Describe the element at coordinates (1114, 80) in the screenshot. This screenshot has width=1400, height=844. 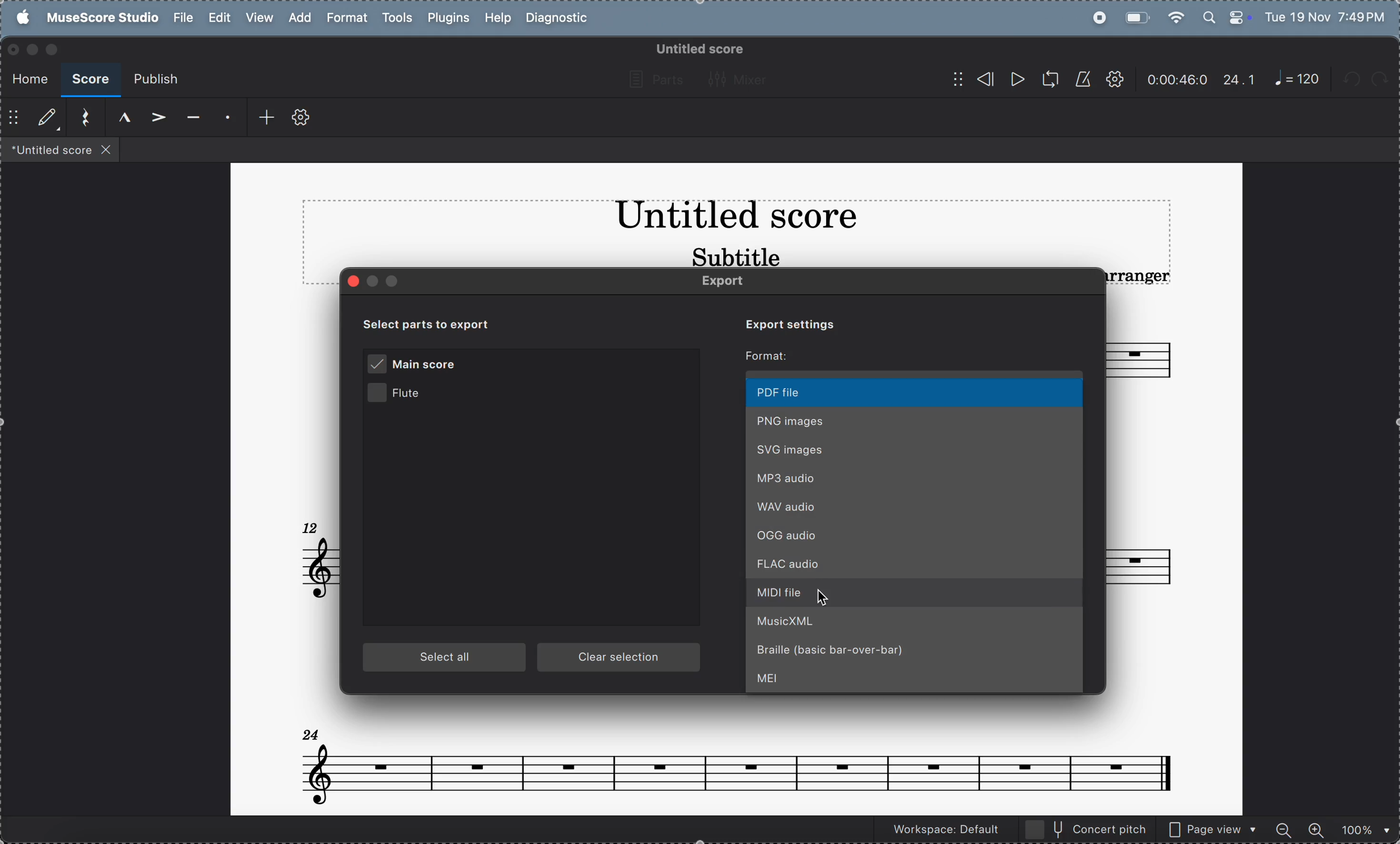
I see `settings` at that location.